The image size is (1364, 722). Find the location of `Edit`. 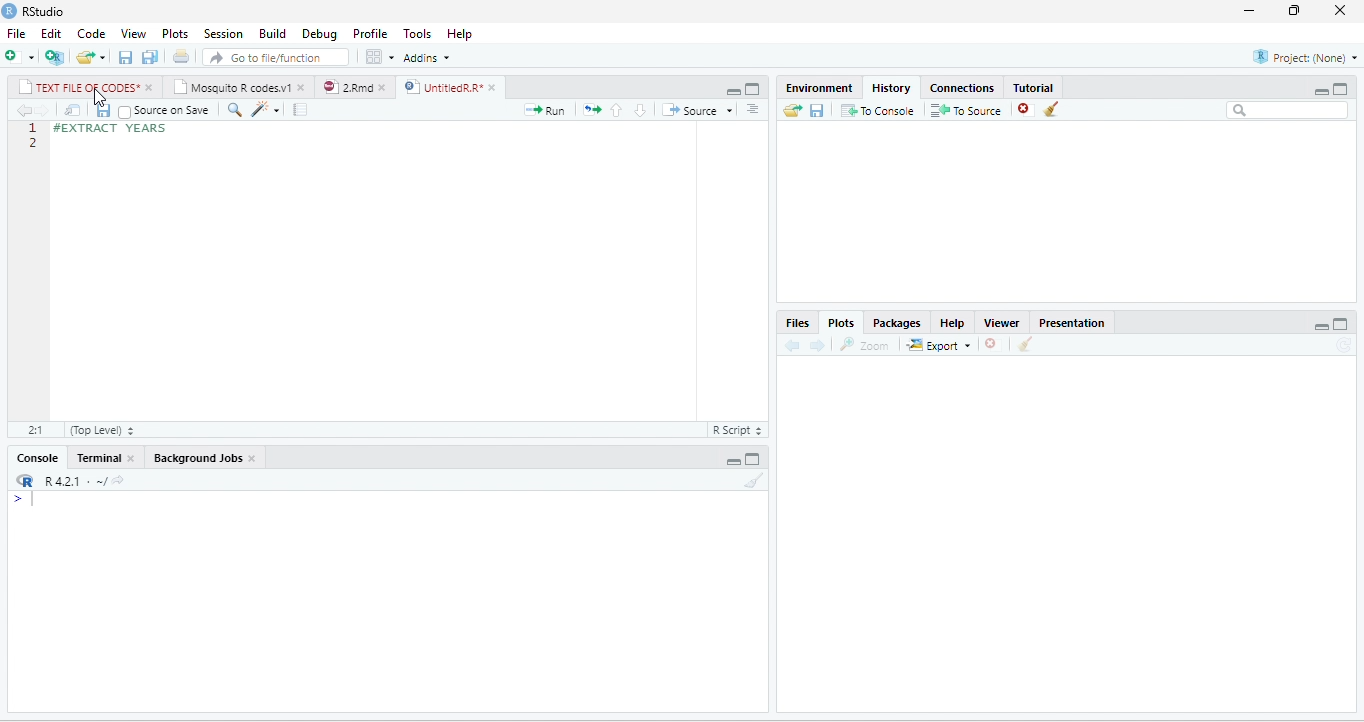

Edit is located at coordinates (51, 34).